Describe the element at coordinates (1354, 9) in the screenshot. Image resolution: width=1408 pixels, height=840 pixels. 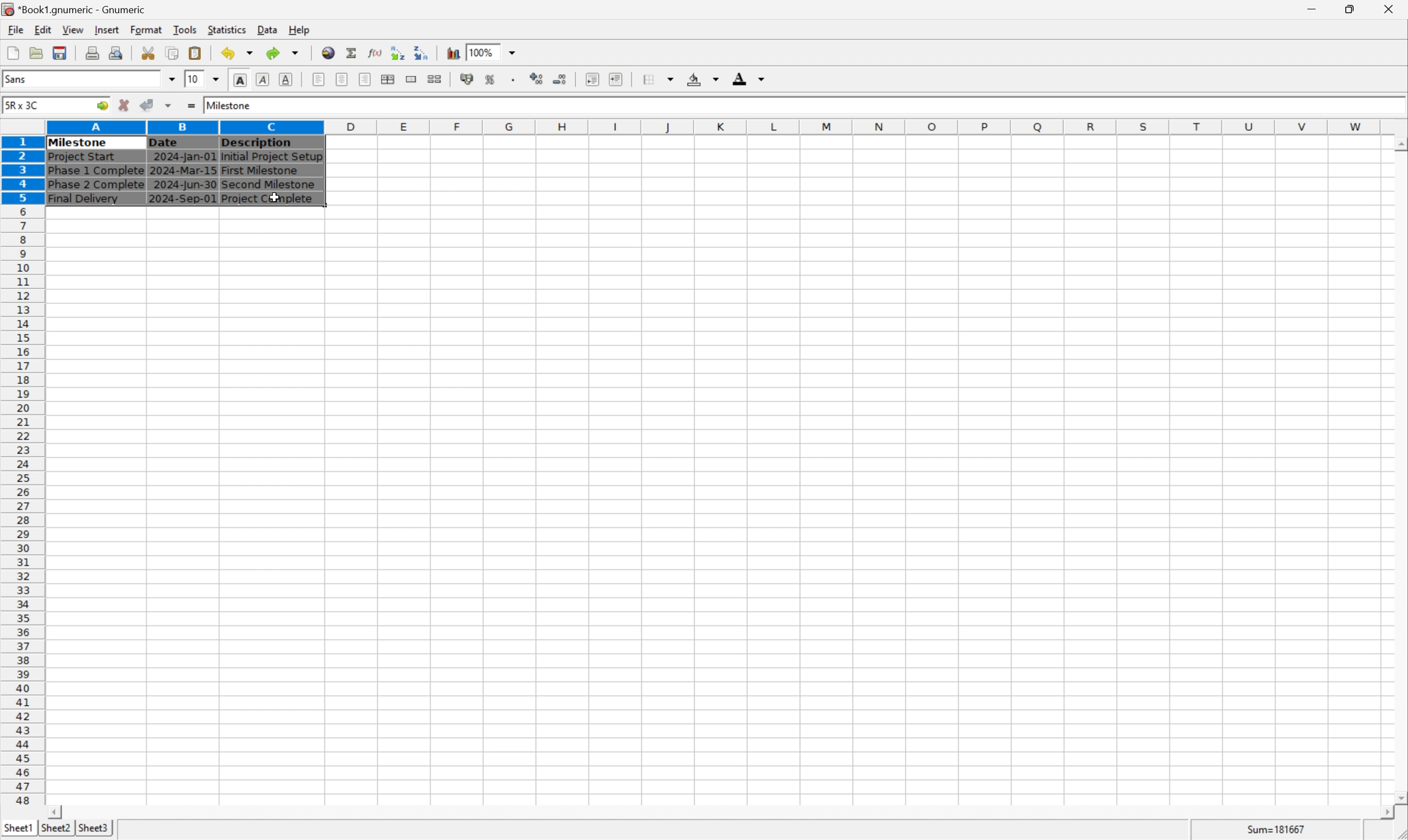
I see `restore down` at that location.